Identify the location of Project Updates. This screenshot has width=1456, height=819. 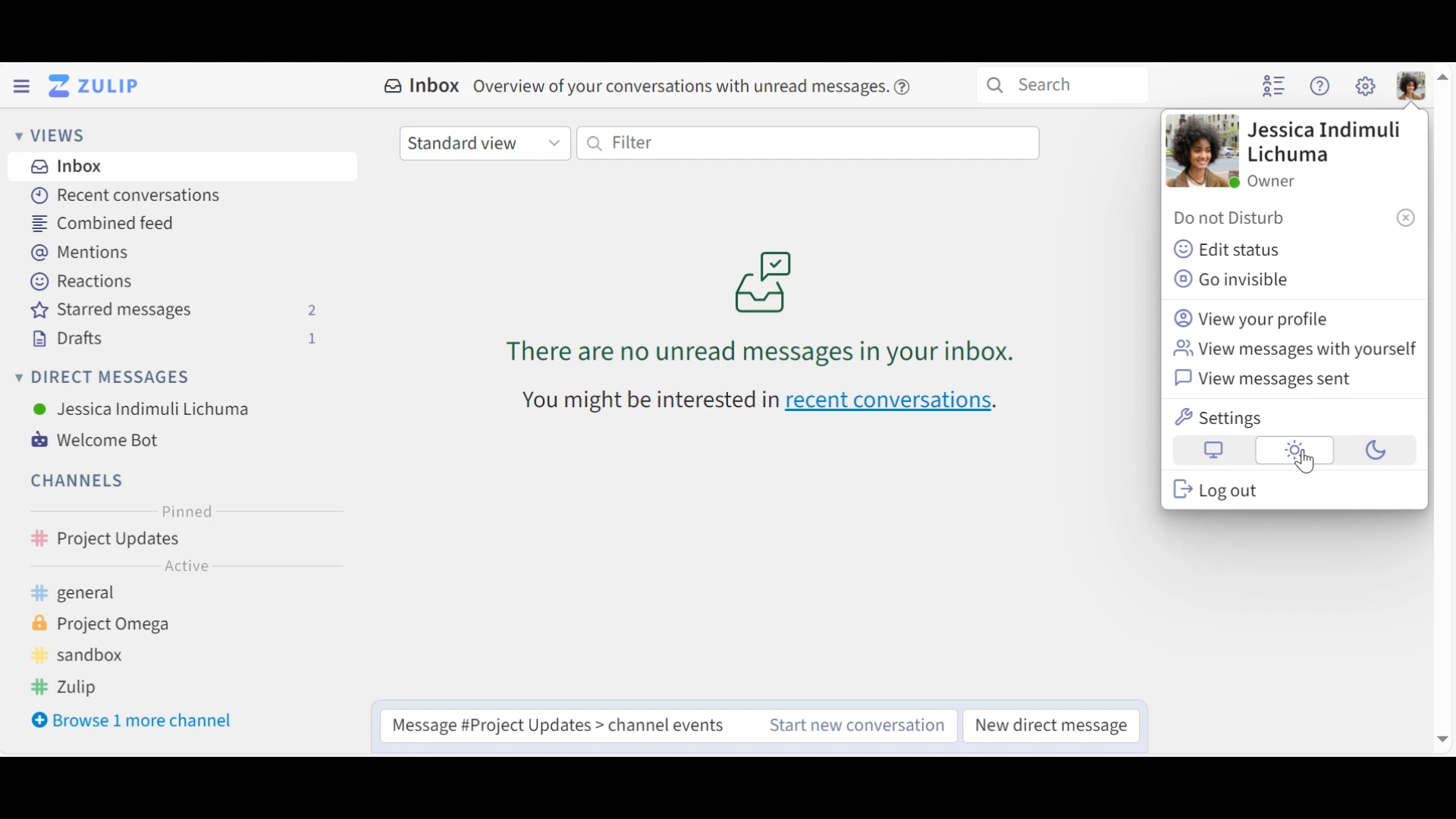
(184, 541).